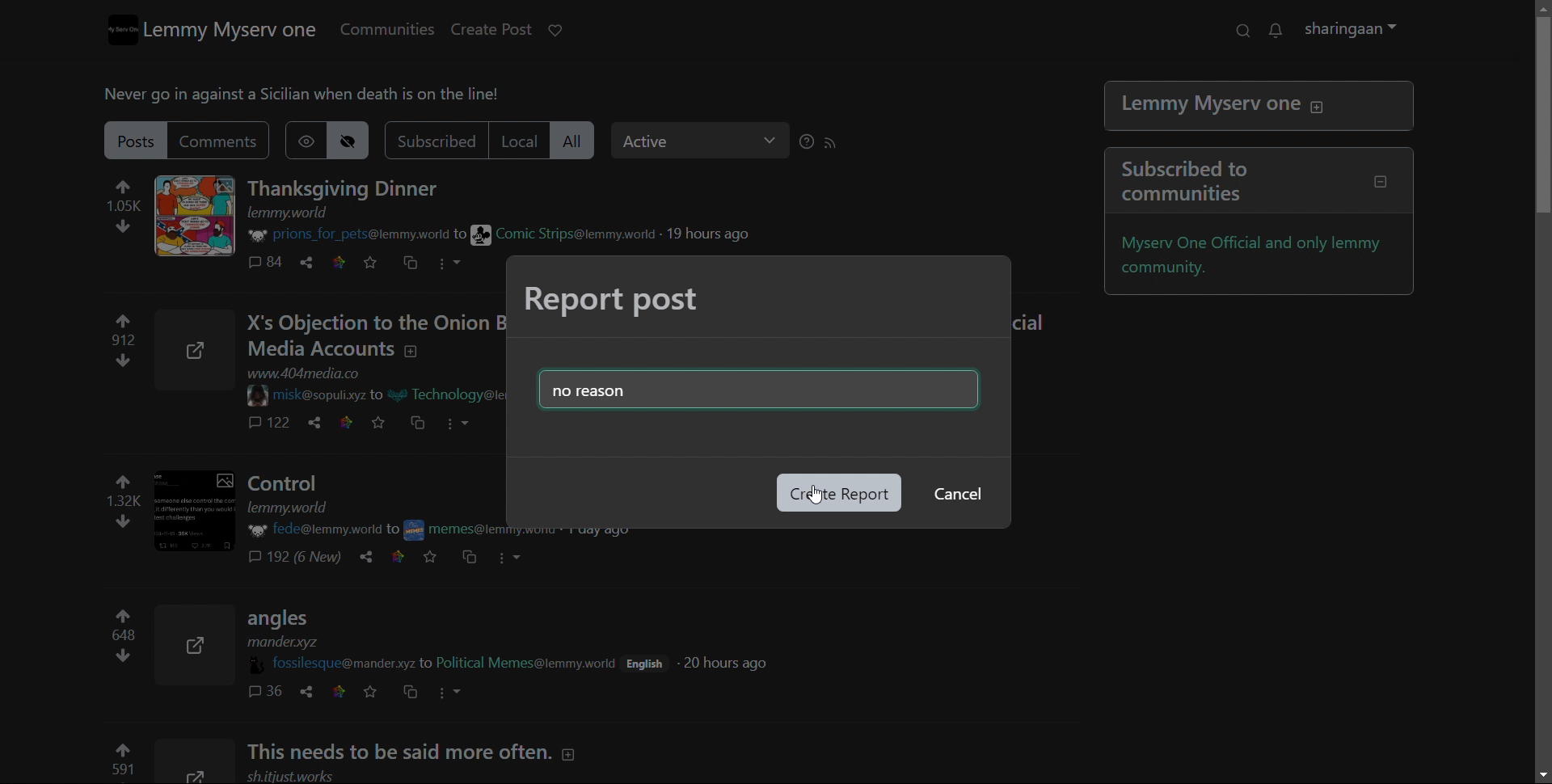 This screenshot has height=784, width=1552. Describe the element at coordinates (731, 663) in the screenshot. I see `20 hours ago (post time)` at that location.